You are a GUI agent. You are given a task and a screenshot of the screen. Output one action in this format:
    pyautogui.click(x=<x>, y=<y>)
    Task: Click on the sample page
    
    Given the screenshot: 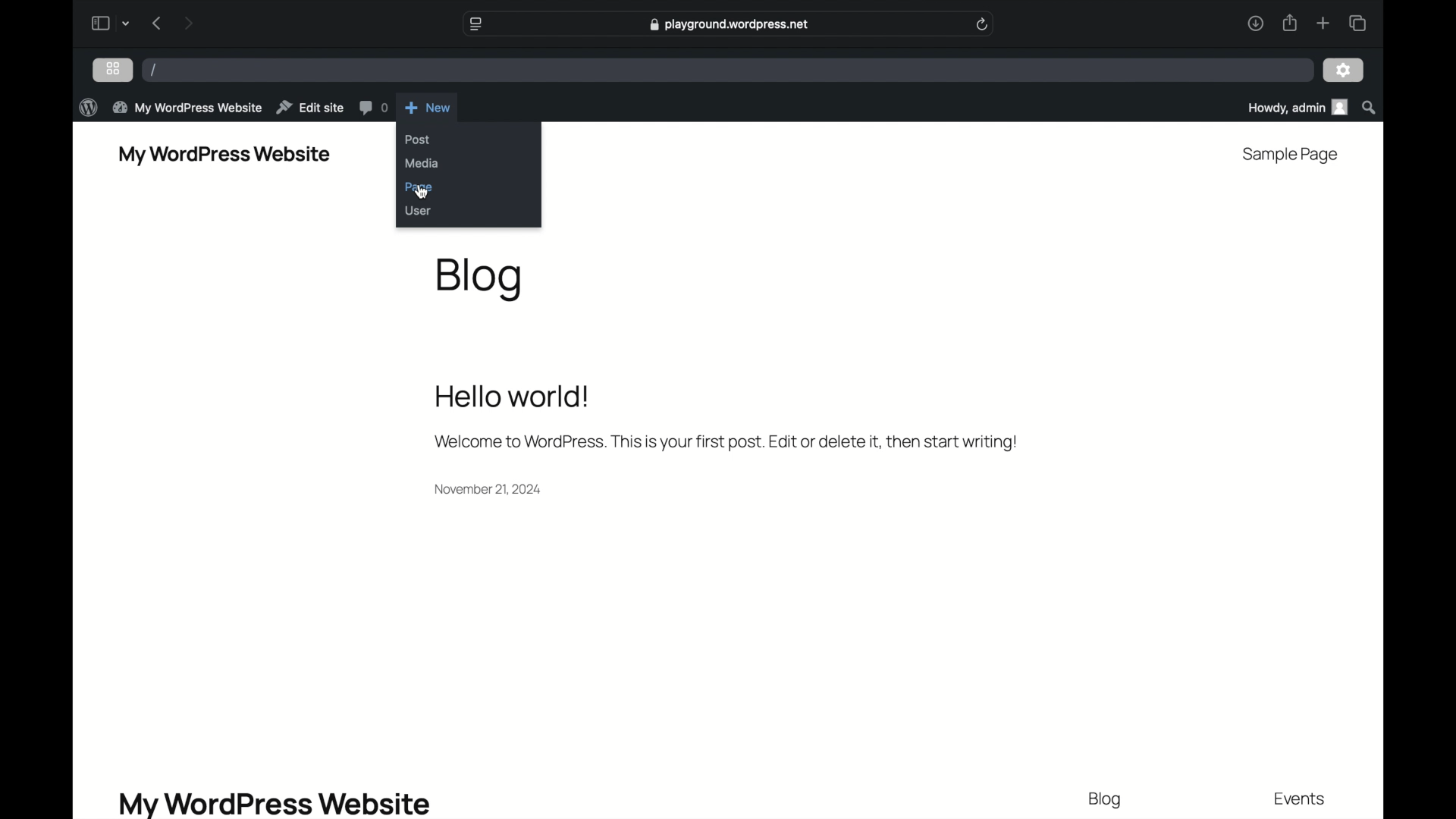 What is the action you would take?
    pyautogui.click(x=1291, y=155)
    